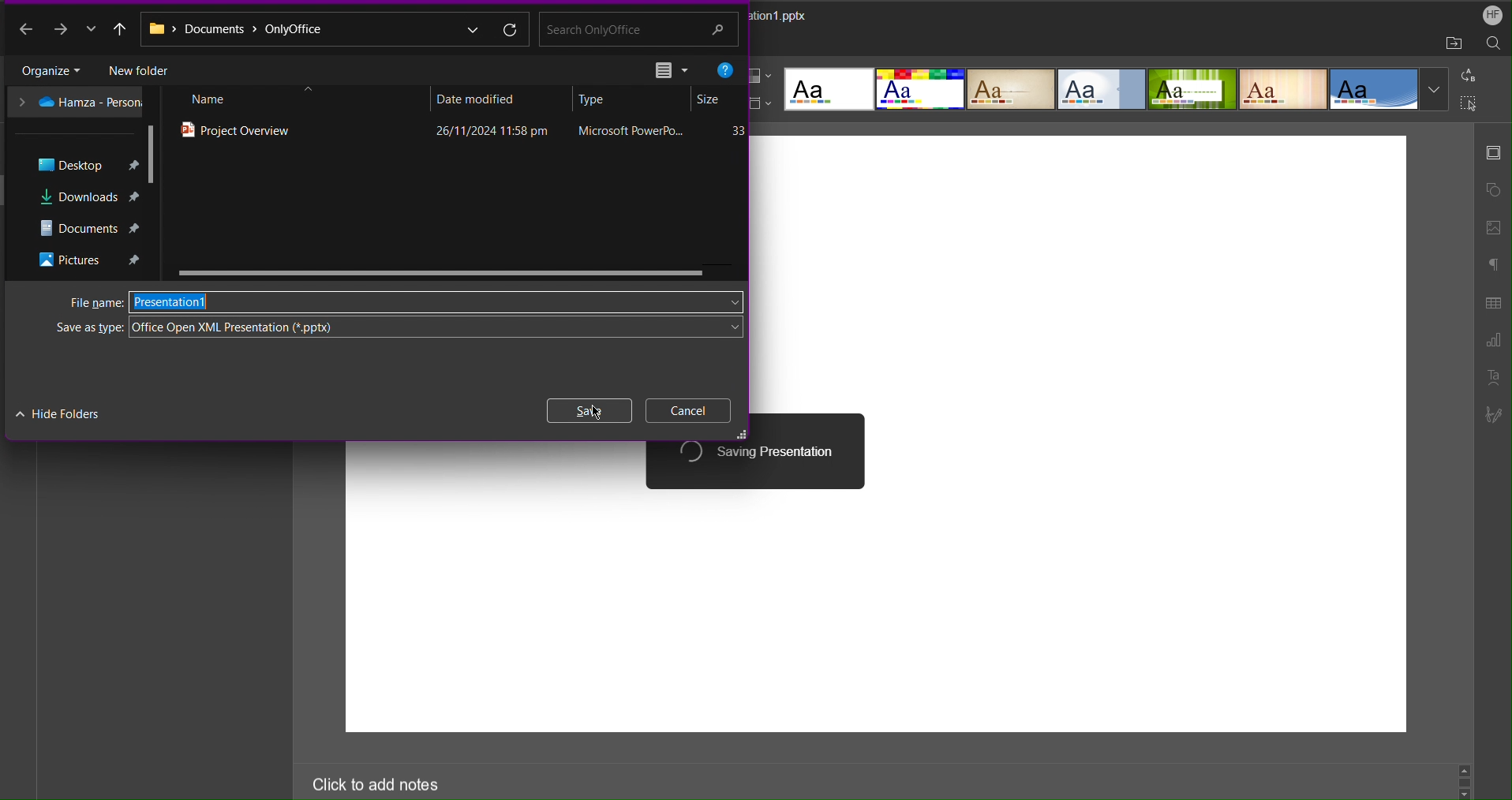 The width and height of the screenshot is (1512, 800). What do you see at coordinates (81, 103) in the screenshot?
I see `OneDrive` at bounding box center [81, 103].